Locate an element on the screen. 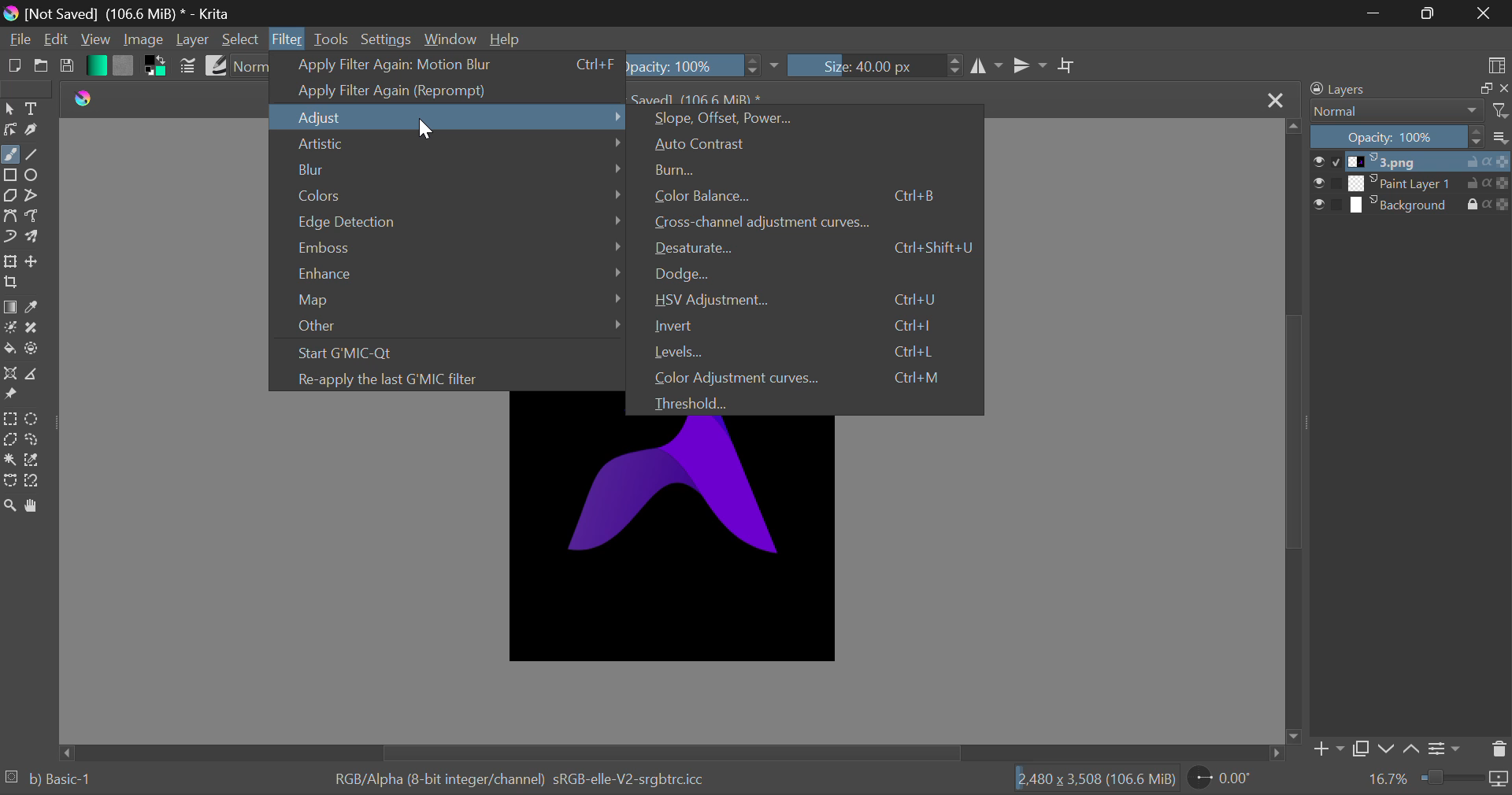 This screenshot has width=1512, height=795. Opacity 100% is located at coordinates (1398, 137).